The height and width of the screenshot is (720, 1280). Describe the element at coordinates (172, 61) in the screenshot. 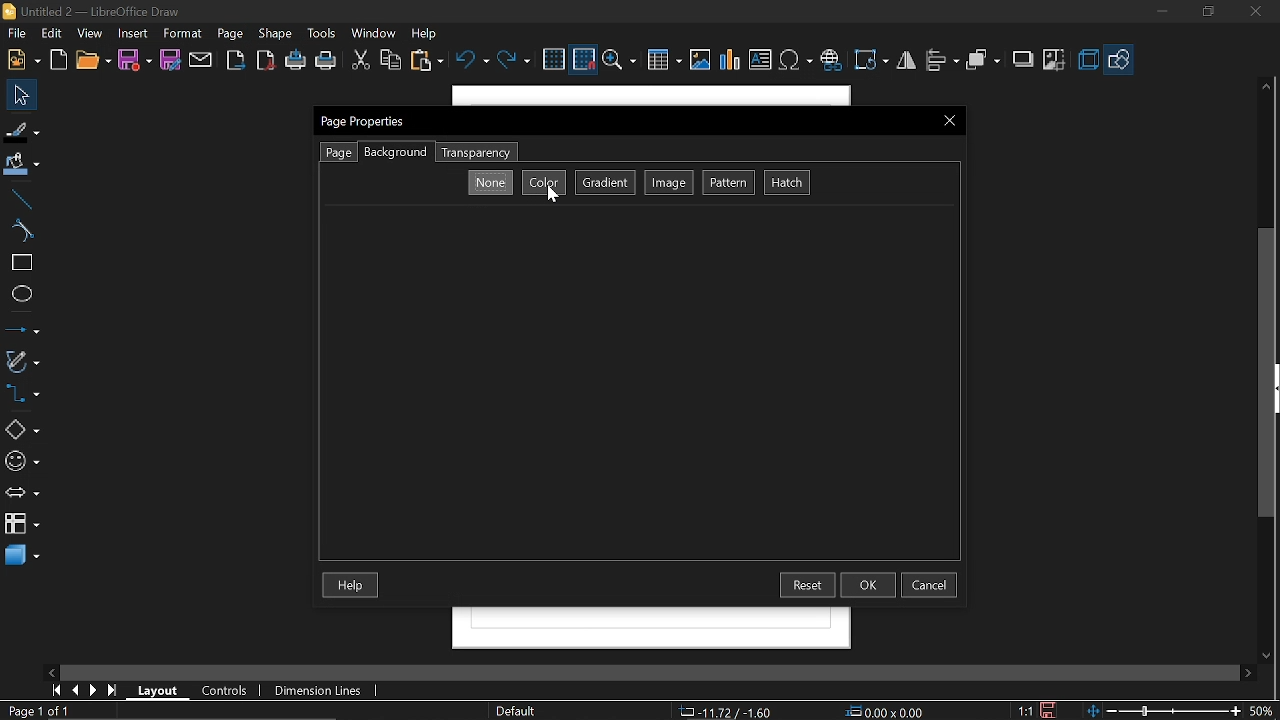

I see `Save as` at that location.